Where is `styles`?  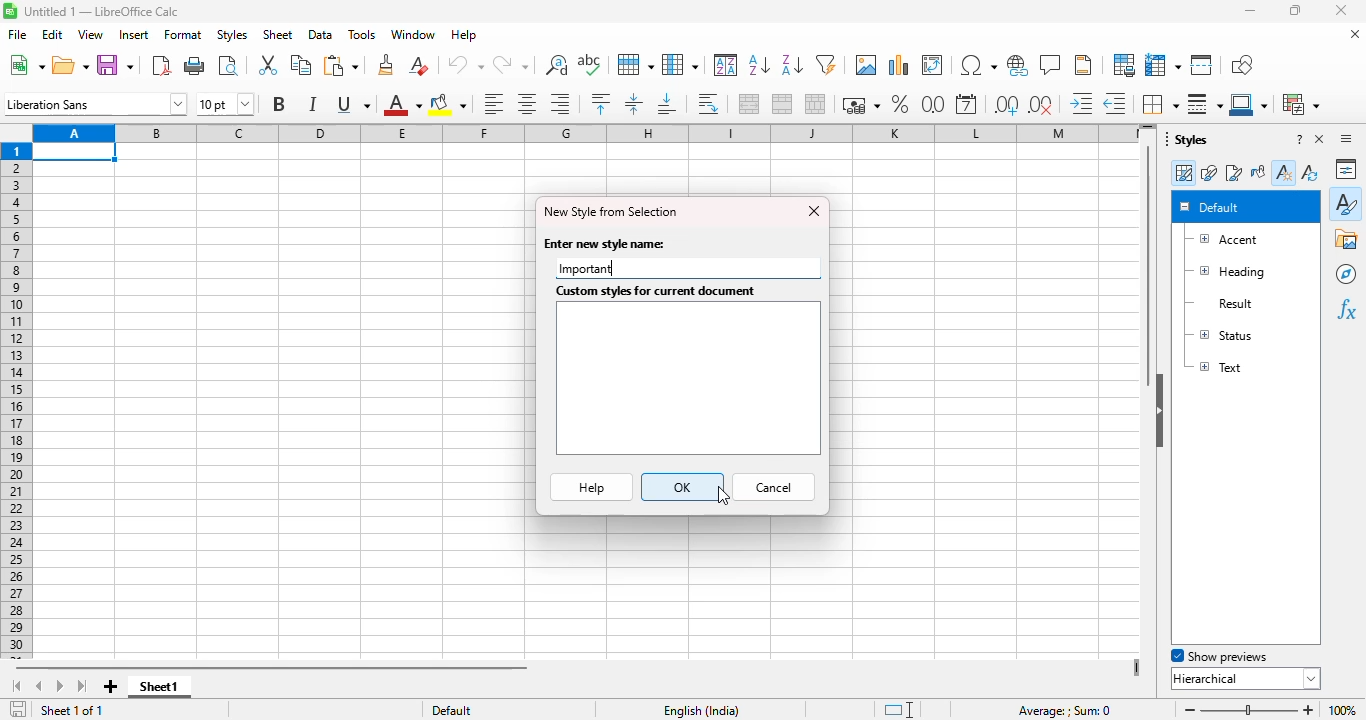
styles is located at coordinates (231, 35).